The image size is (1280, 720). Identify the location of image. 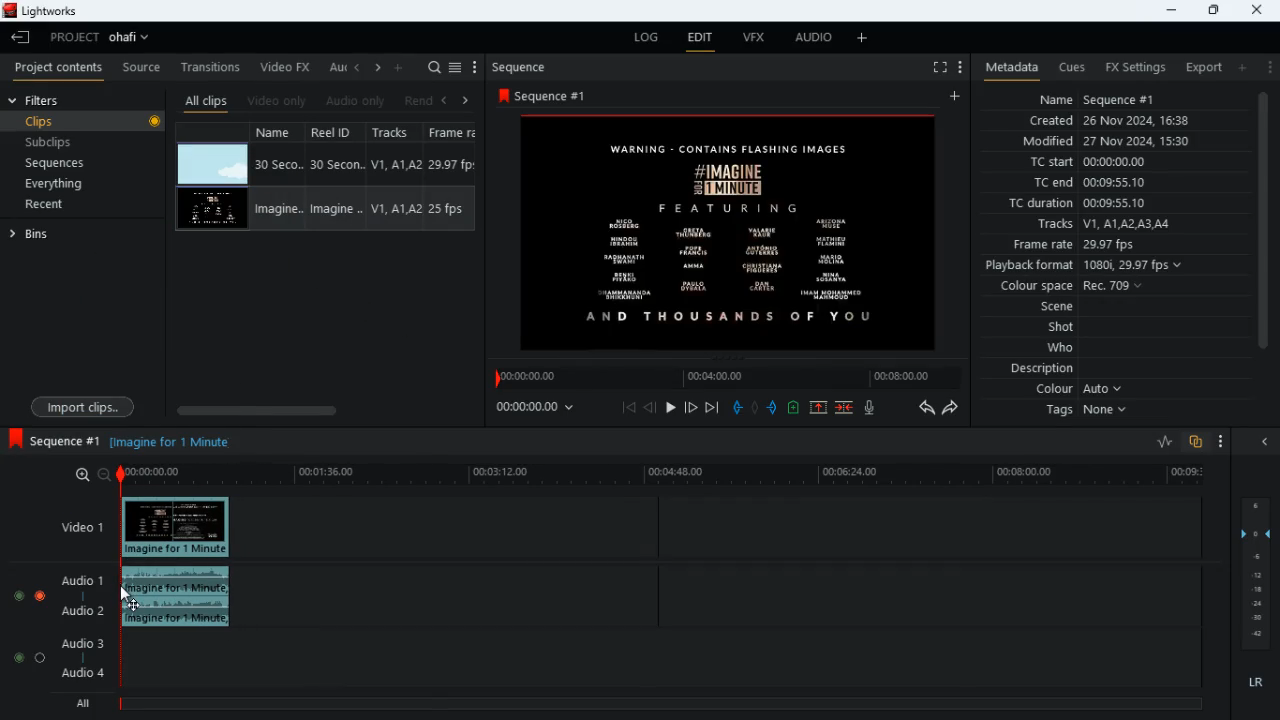
(734, 232).